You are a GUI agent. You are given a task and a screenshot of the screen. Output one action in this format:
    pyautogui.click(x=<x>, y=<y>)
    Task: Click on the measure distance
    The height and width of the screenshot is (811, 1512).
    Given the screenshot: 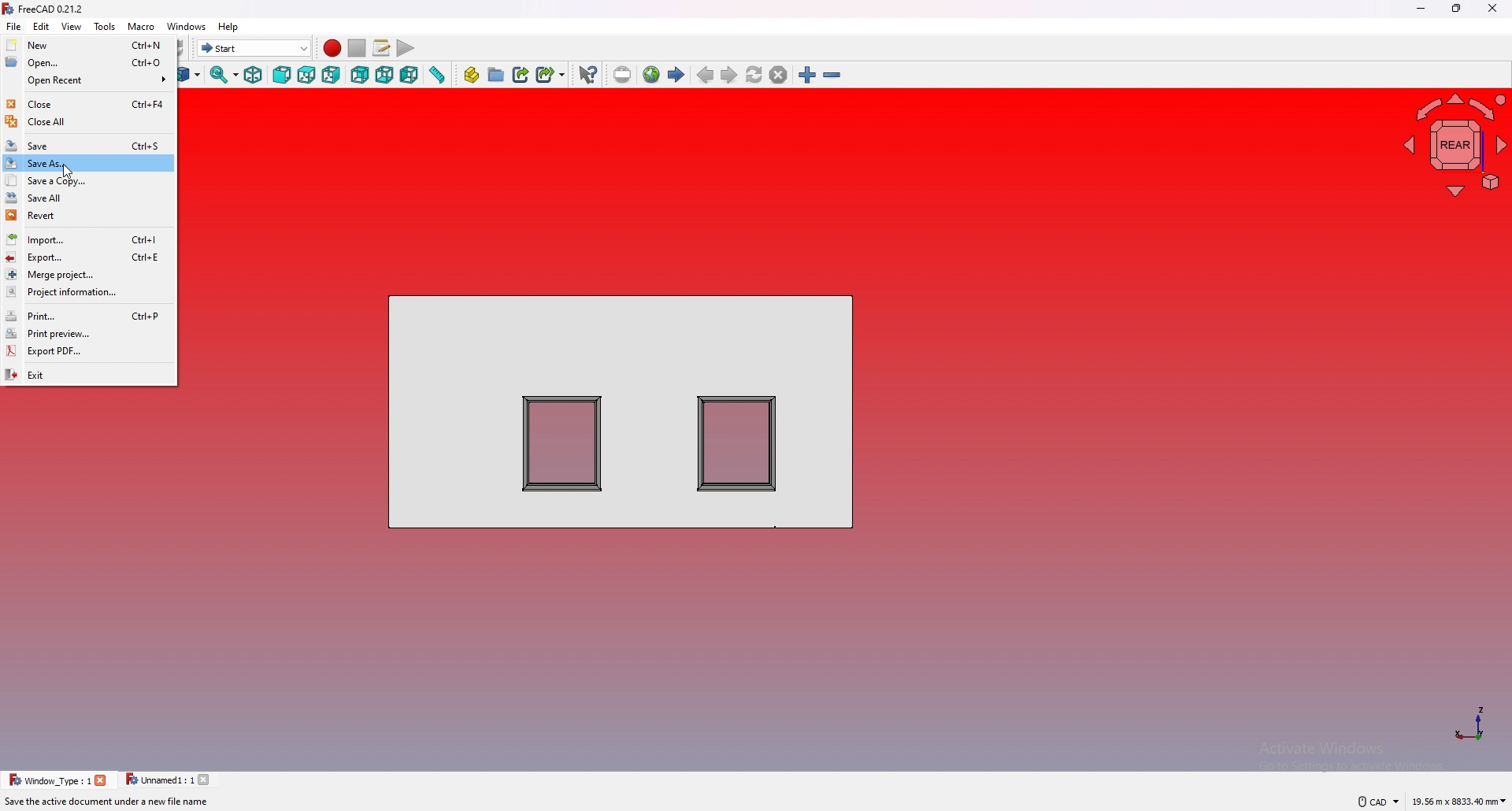 What is the action you would take?
    pyautogui.click(x=436, y=76)
    